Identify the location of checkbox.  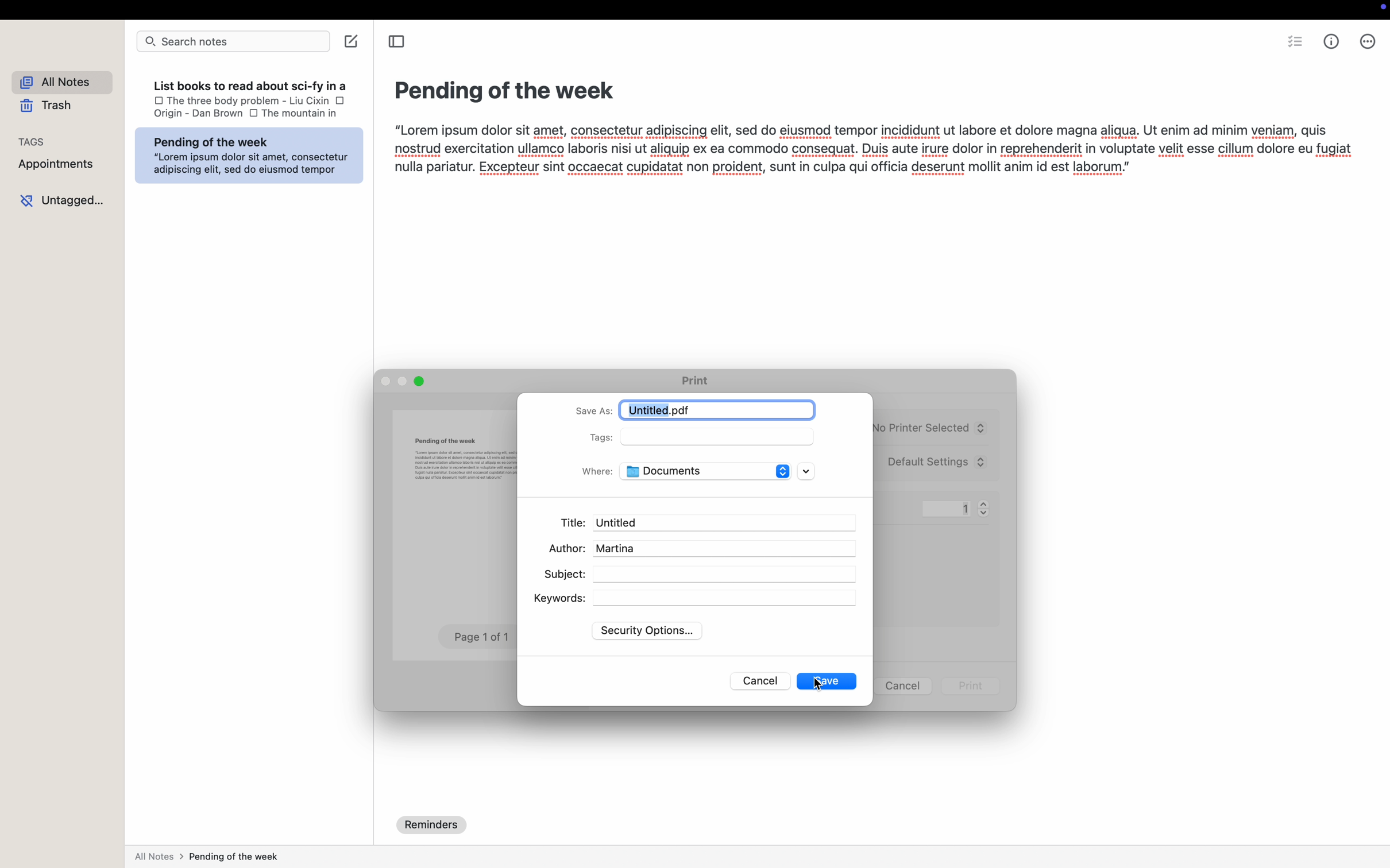
(340, 102).